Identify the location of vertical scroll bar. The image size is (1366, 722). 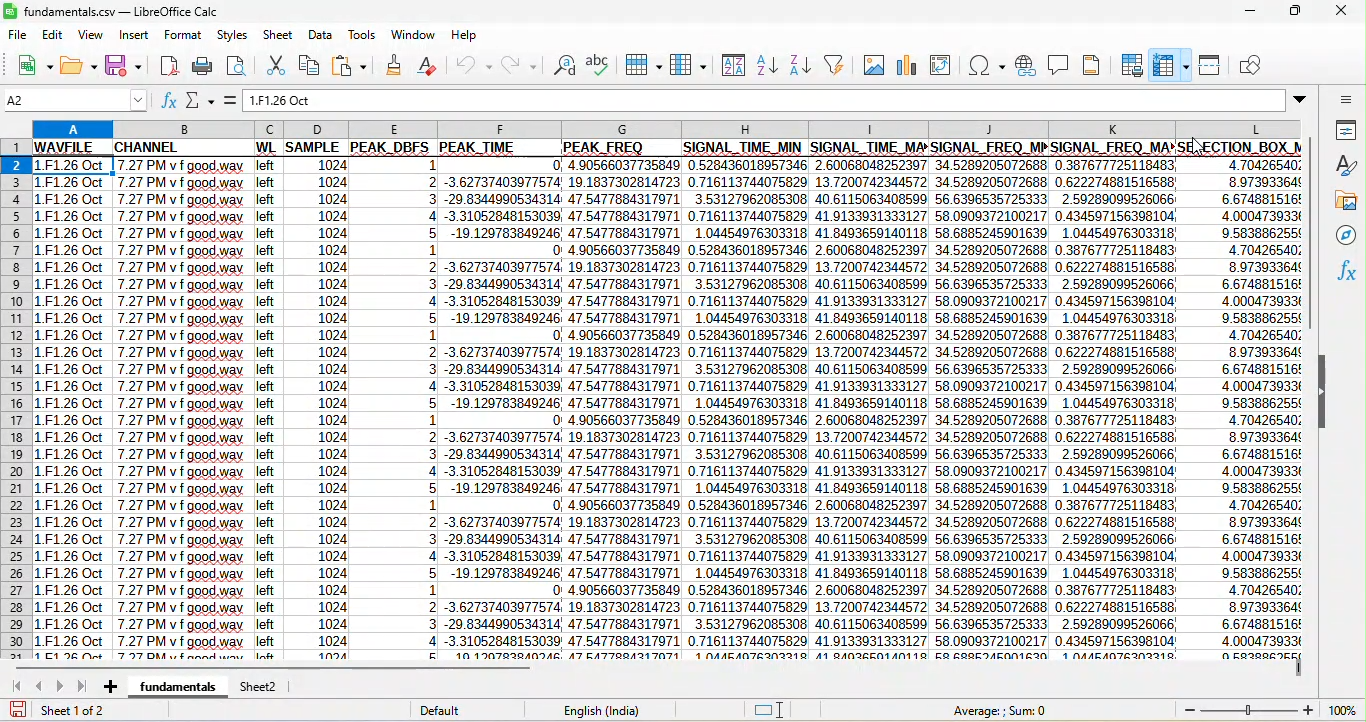
(1315, 242).